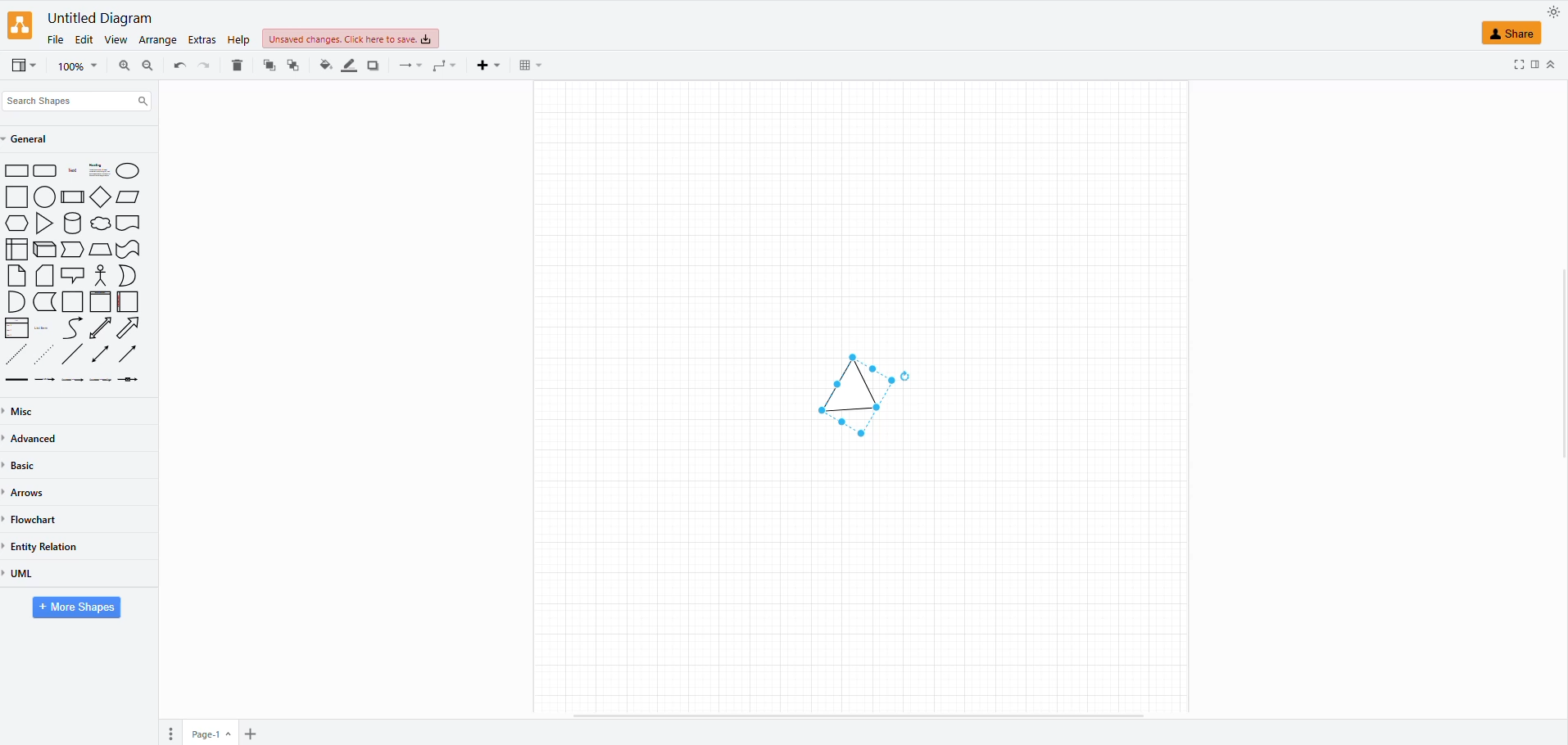 The height and width of the screenshot is (745, 1568). Describe the element at coordinates (38, 439) in the screenshot. I see `advanced` at that location.